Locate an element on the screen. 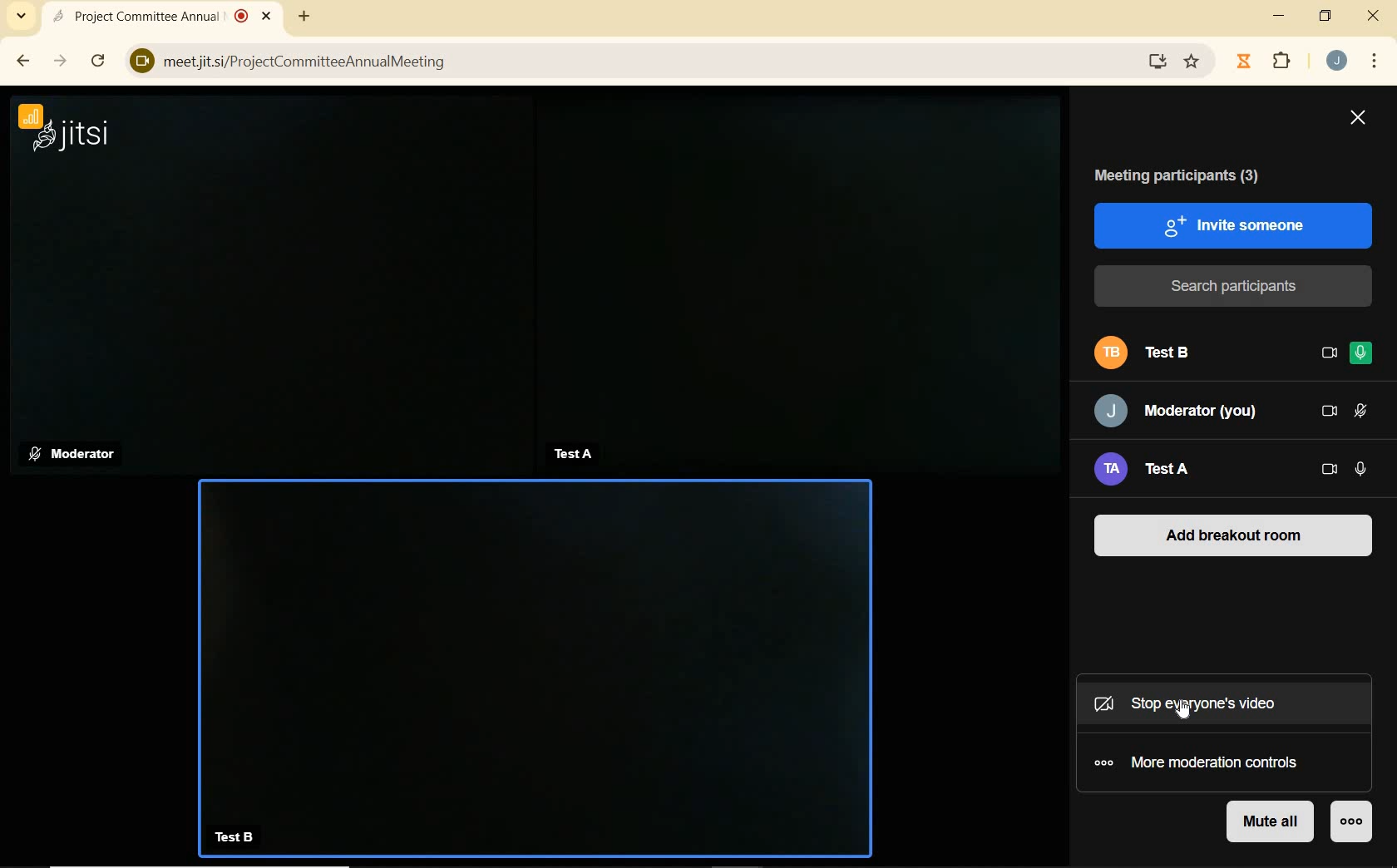 This screenshot has height=868, width=1397. Test A is located at coordinates (1169, 472).